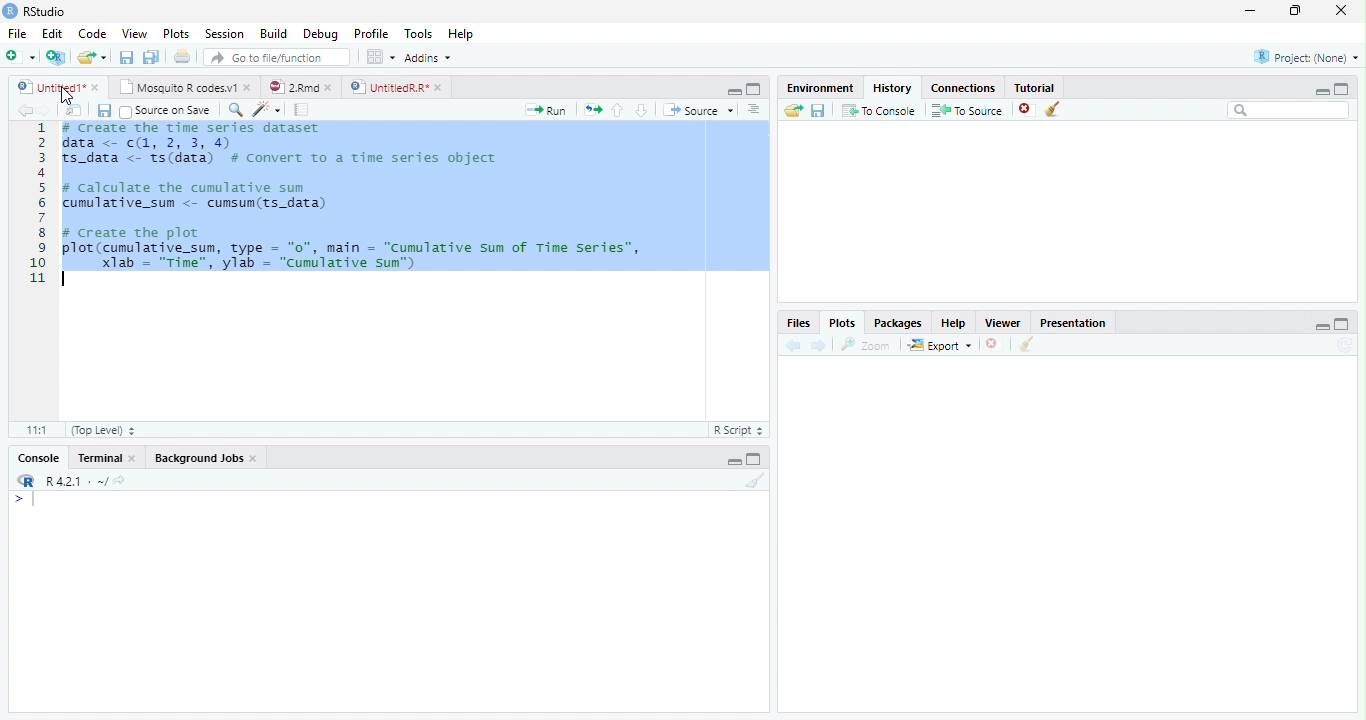 The width and height of the screenshot is (1366, 720). What do you see at coordinates (961, 87) in the screenshot?
I see `Connections` at bounding box center [961, 87].